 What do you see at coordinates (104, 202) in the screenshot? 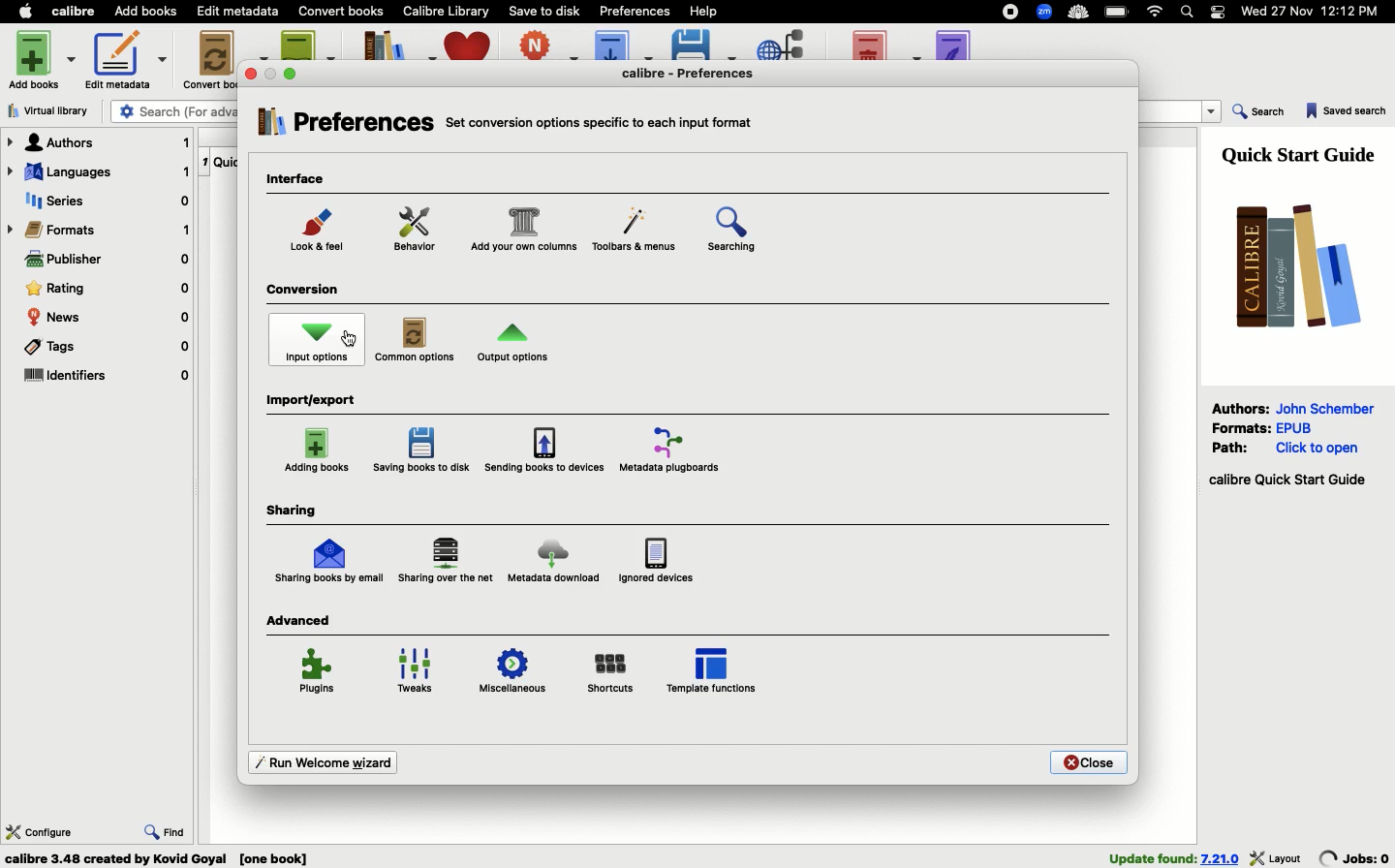
I see `Series` at bounding box center [104, 202].